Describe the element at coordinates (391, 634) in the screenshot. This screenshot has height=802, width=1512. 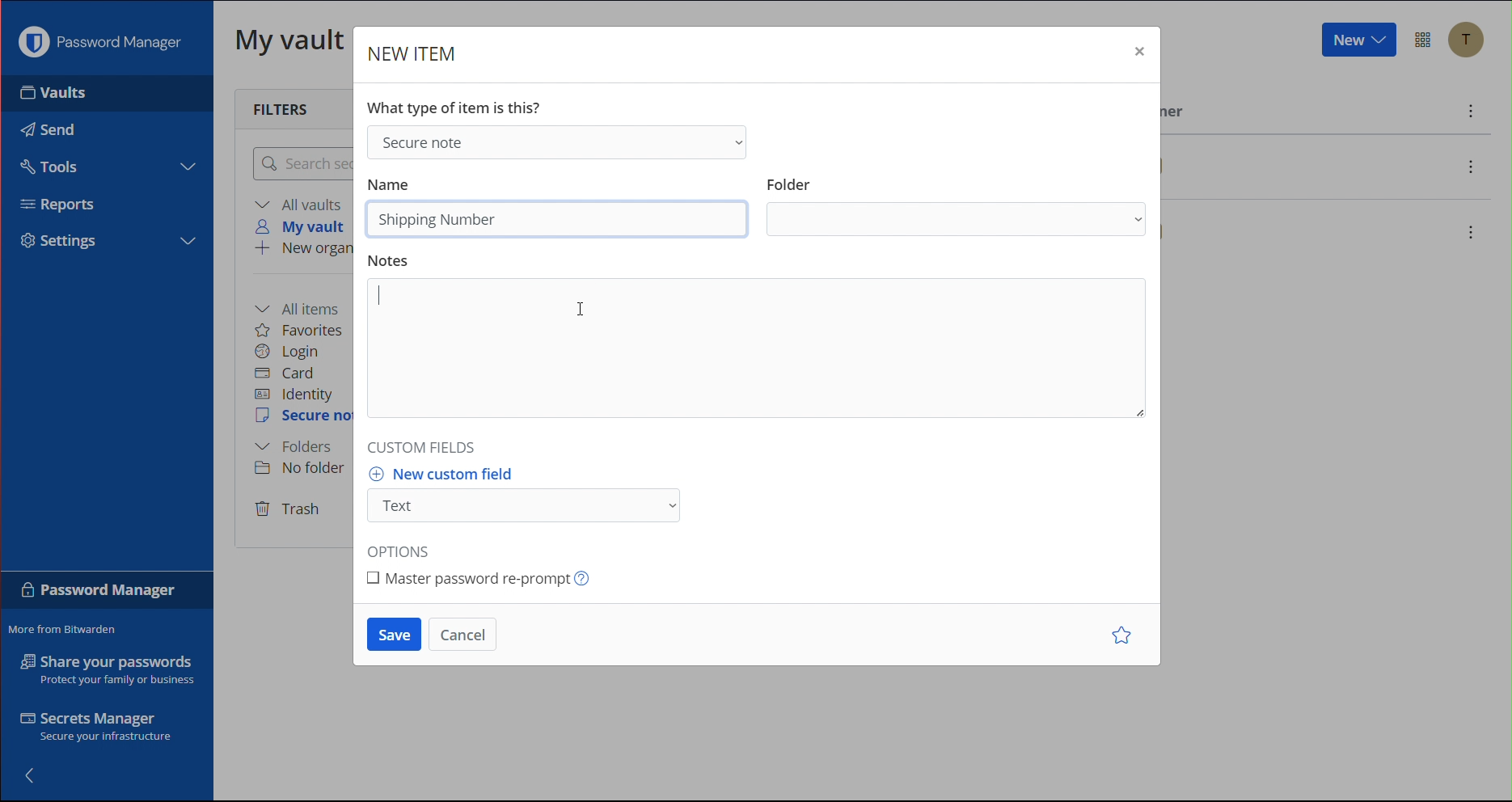
I see `Save` at that location.